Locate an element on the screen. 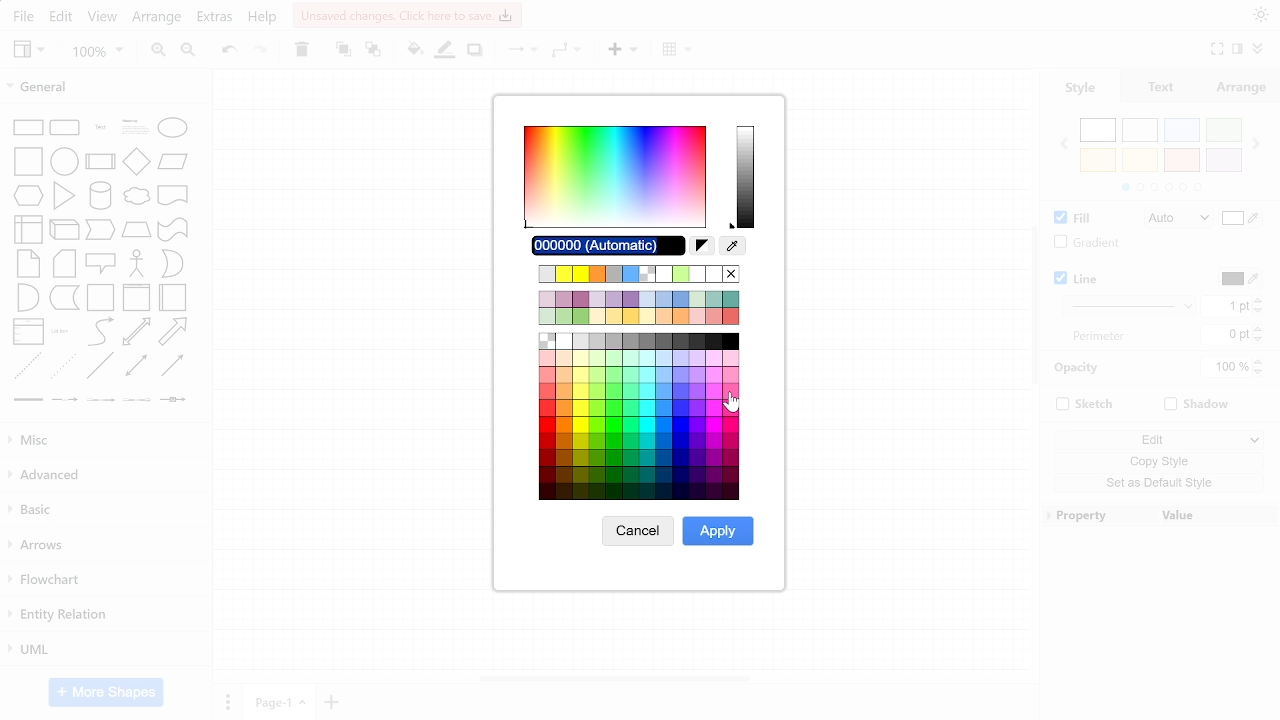  Current color spectrum is located at coordinates (746, 177).